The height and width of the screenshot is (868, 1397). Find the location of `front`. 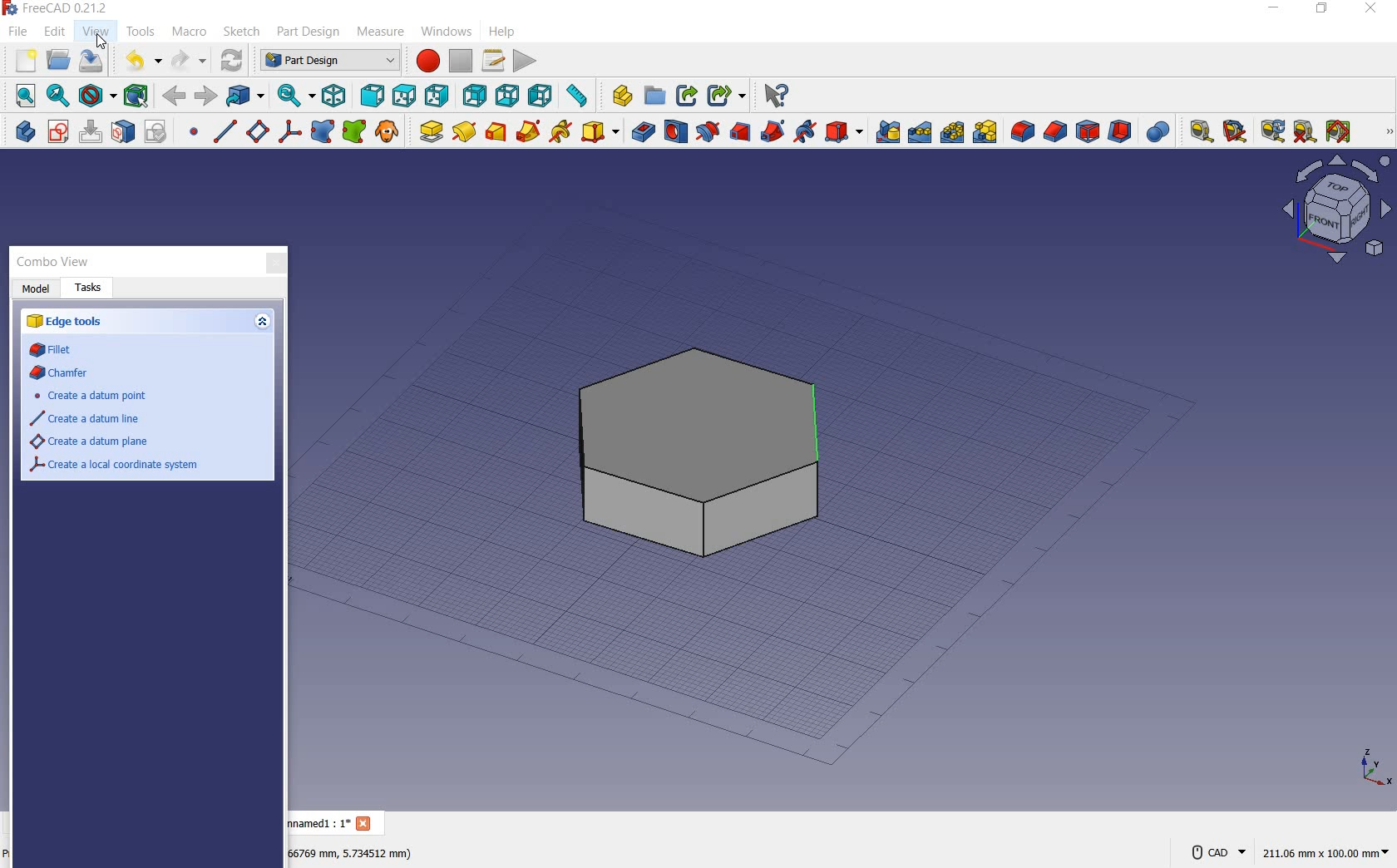

front is located at coordinates (372, 96).